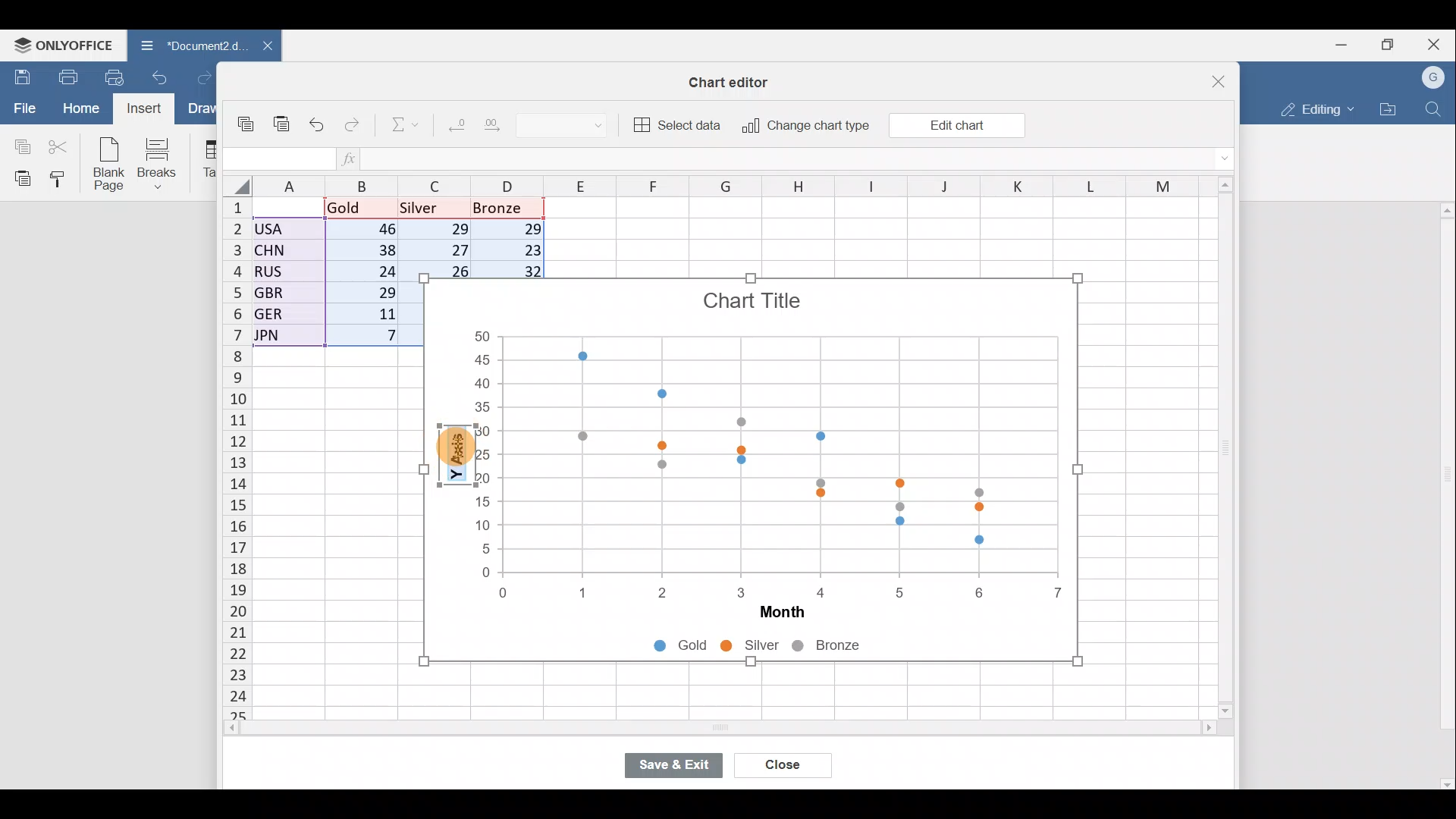  What do you see at coordinates (453, 128) in the screenshot?
I see `Decrease decimal` at bounding box center [453, 128].